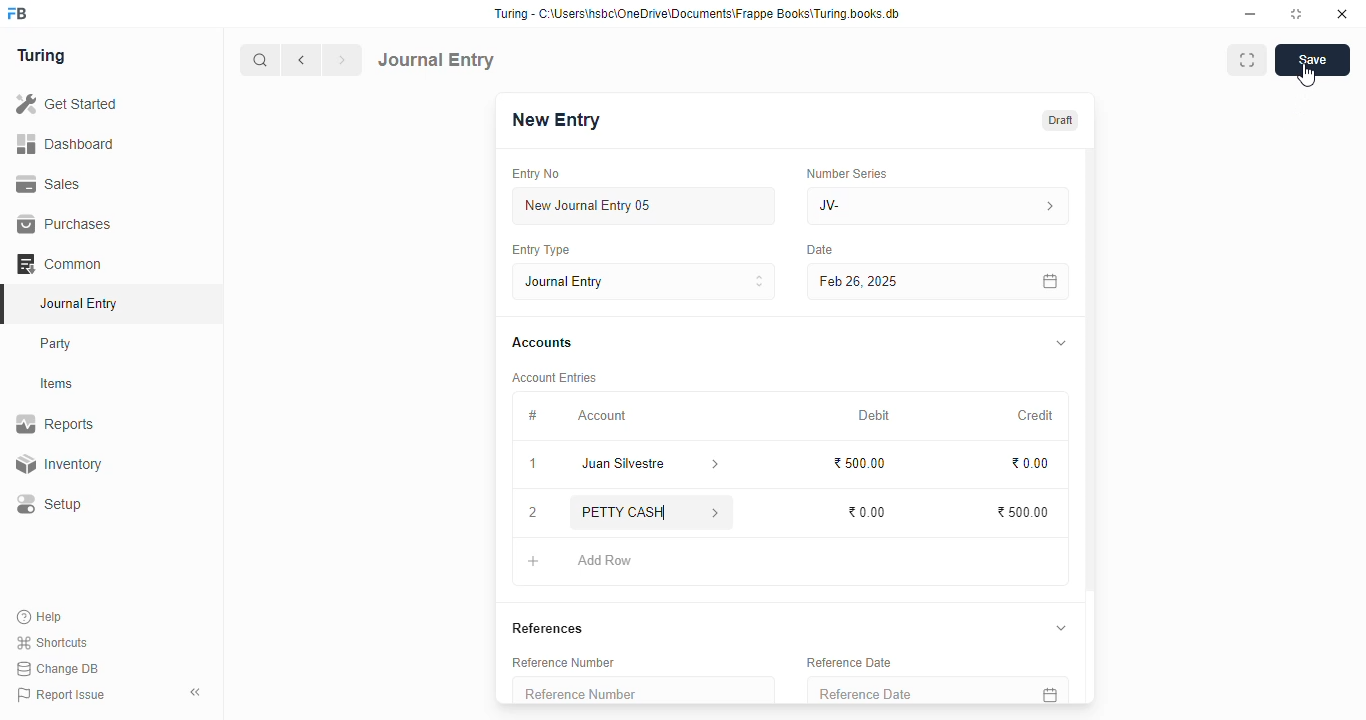 The image size is (1366, 720). Describe the element at coordinates (555, 120) in the screenshot. I see `new entry` at that location.